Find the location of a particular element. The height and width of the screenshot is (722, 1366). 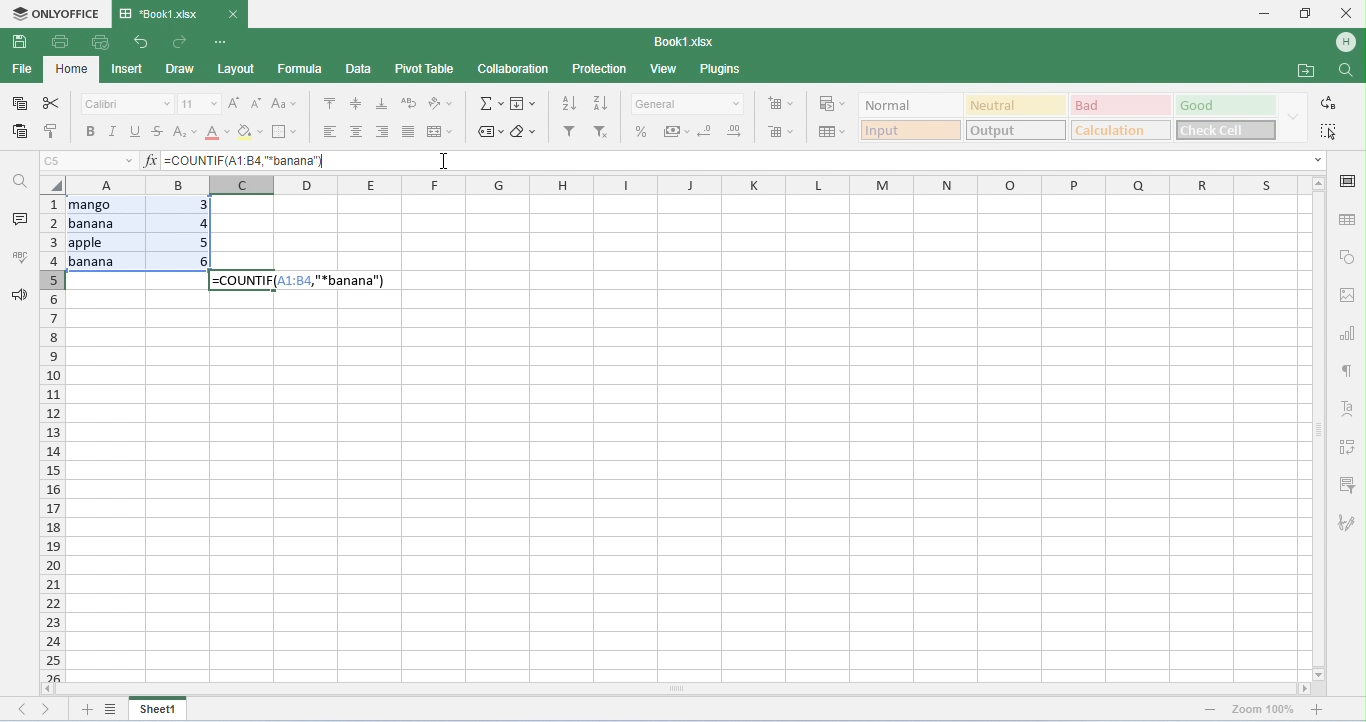

selected cell number is located at coordinates (90, 160).